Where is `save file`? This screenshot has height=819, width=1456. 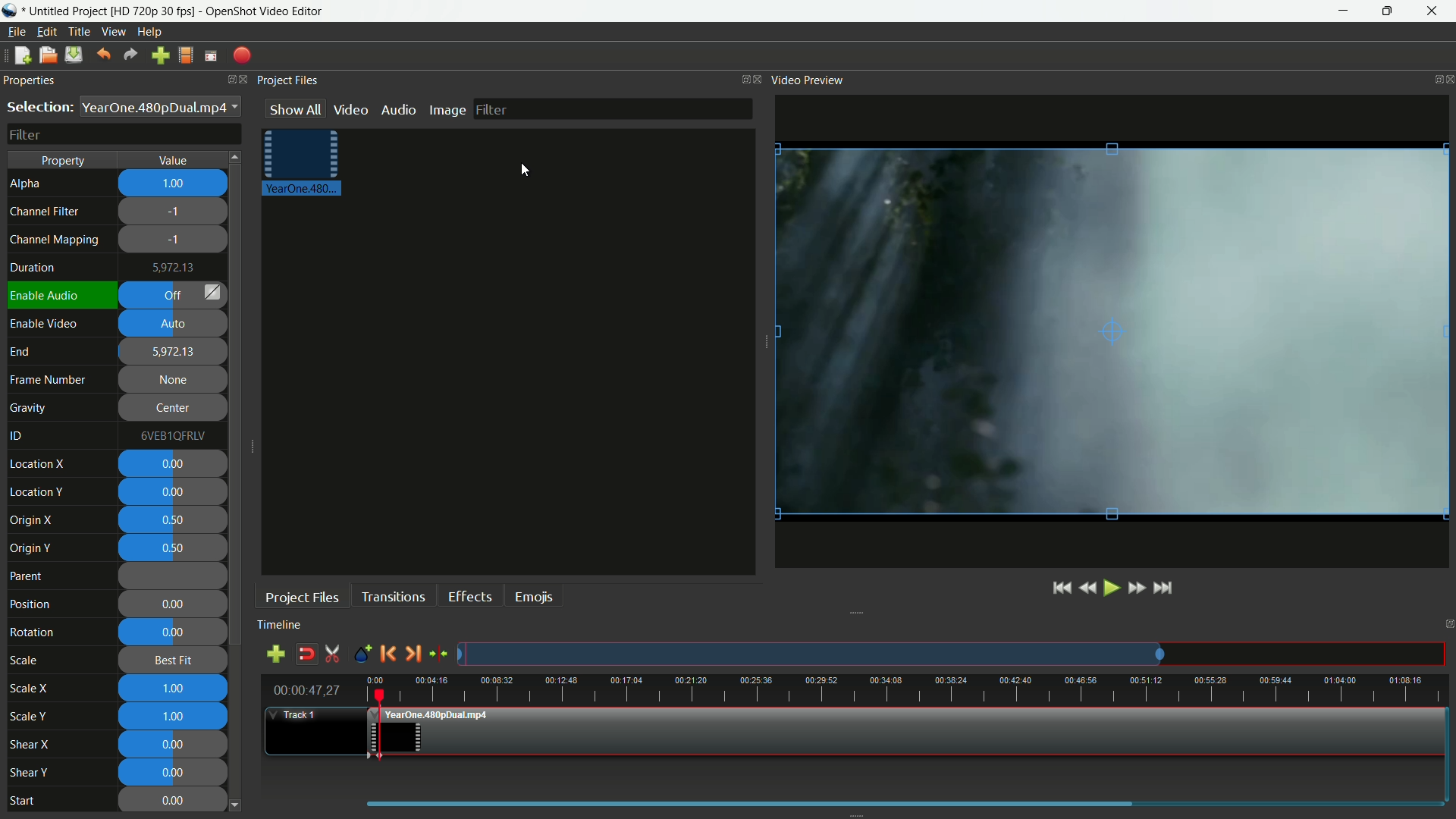 save file is located at coordinates (74, 55).